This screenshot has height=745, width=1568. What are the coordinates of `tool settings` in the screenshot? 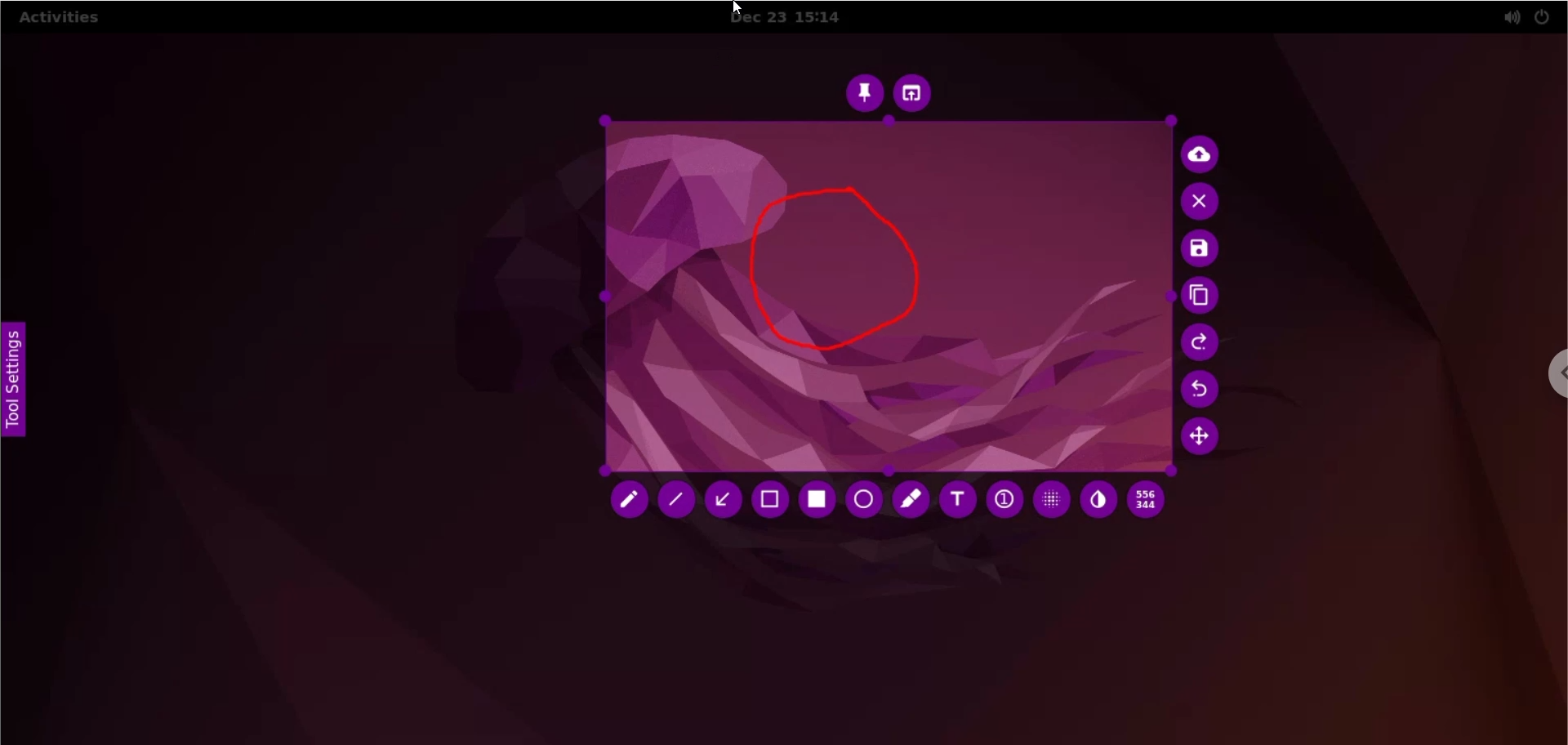 It's located at (16, 383).